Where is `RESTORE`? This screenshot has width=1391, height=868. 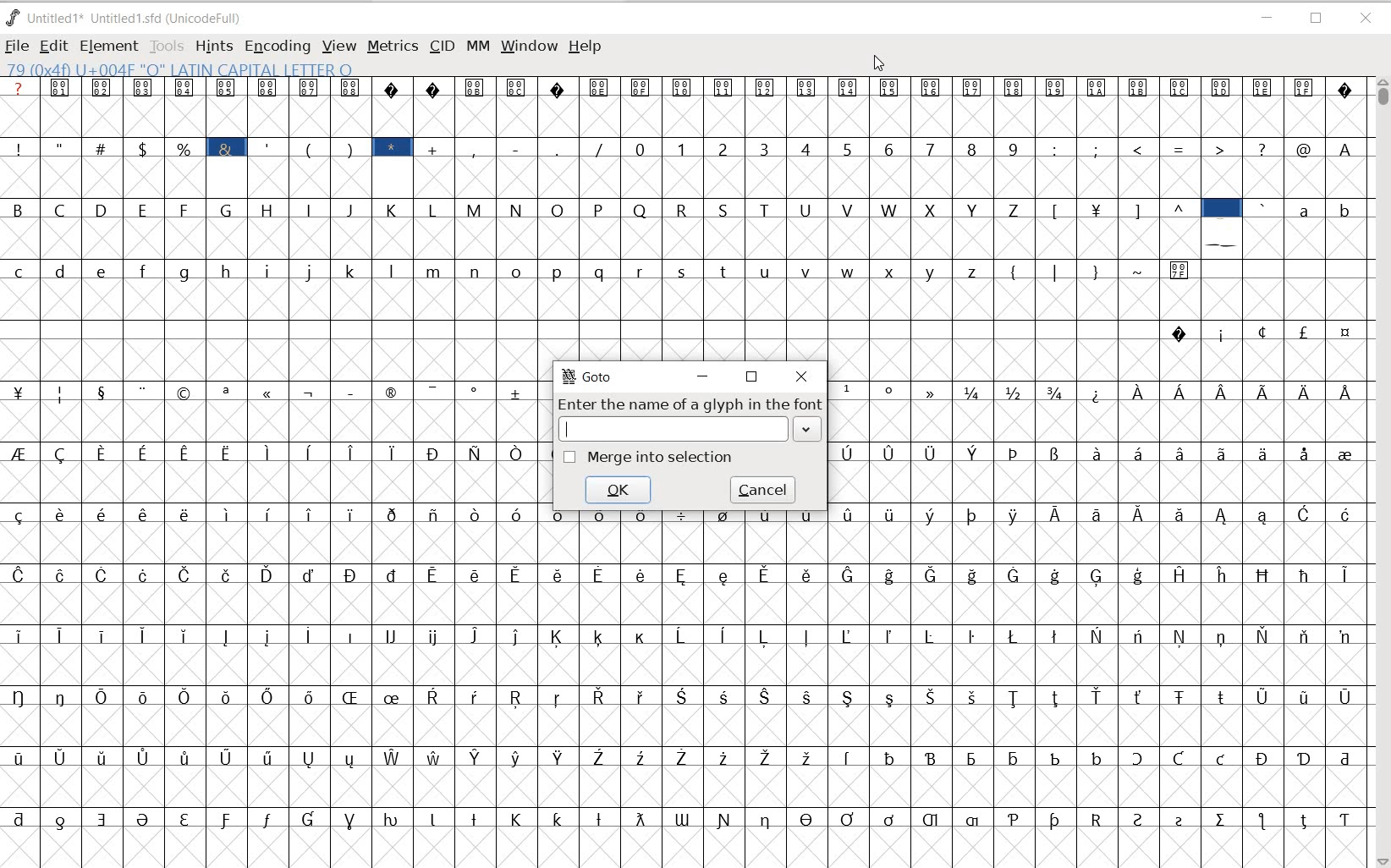
RESTORE is located at coordinates (1318, 19).